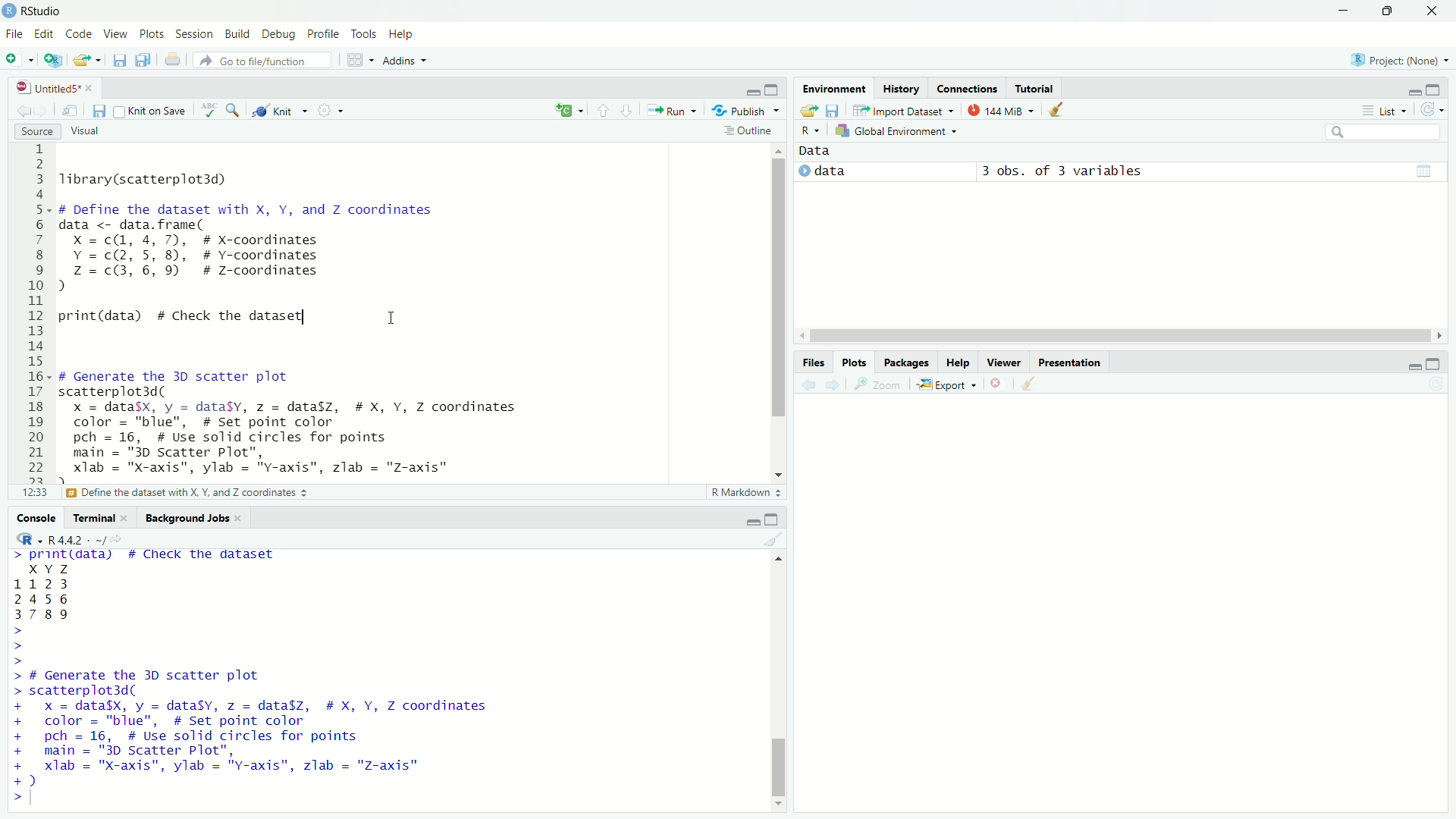  I want to click on view a larger version of the plot in a new window, so click(880, 385).